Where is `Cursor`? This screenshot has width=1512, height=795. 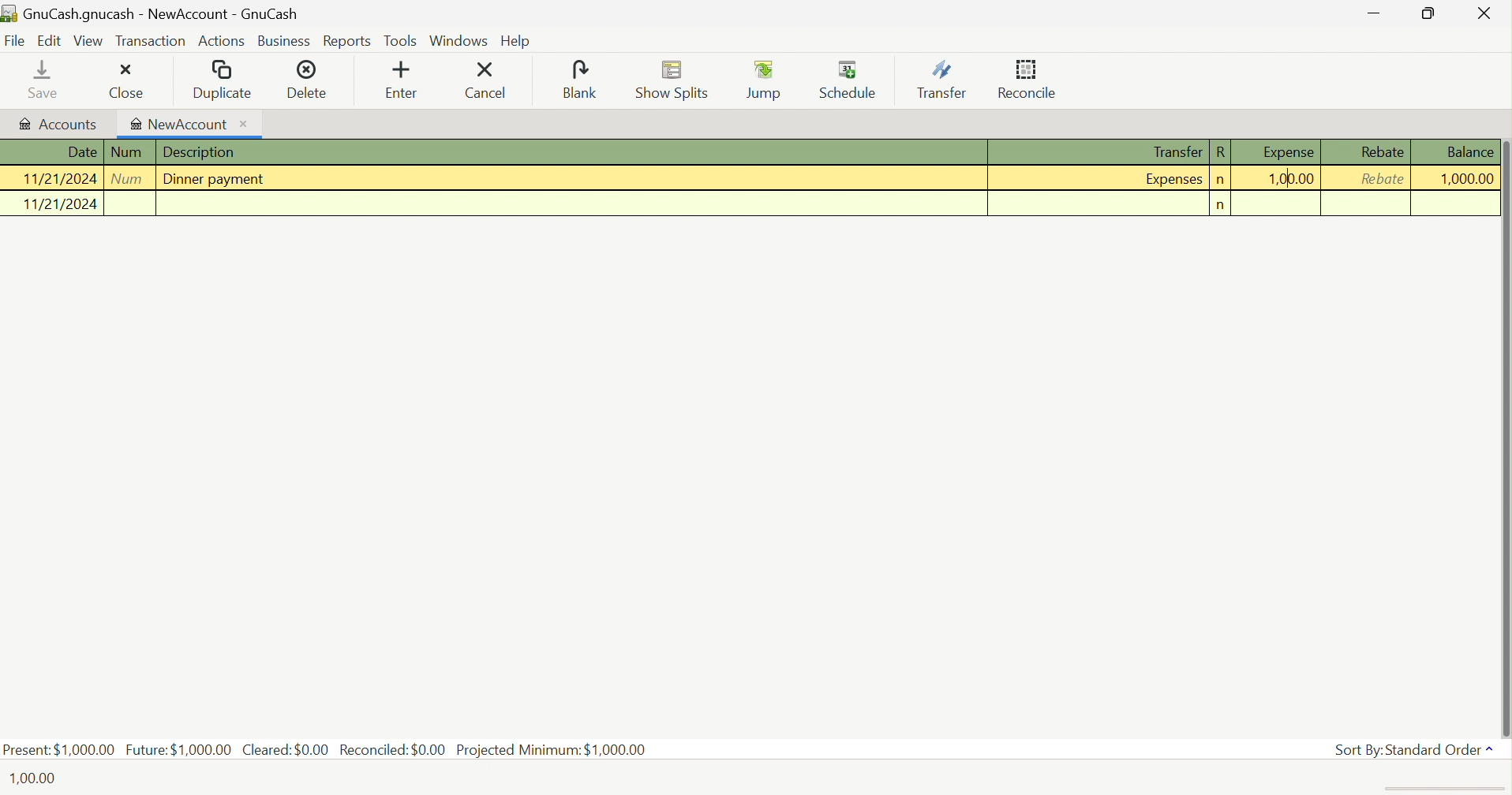
Cursor is located at coordinates (1293, 180).